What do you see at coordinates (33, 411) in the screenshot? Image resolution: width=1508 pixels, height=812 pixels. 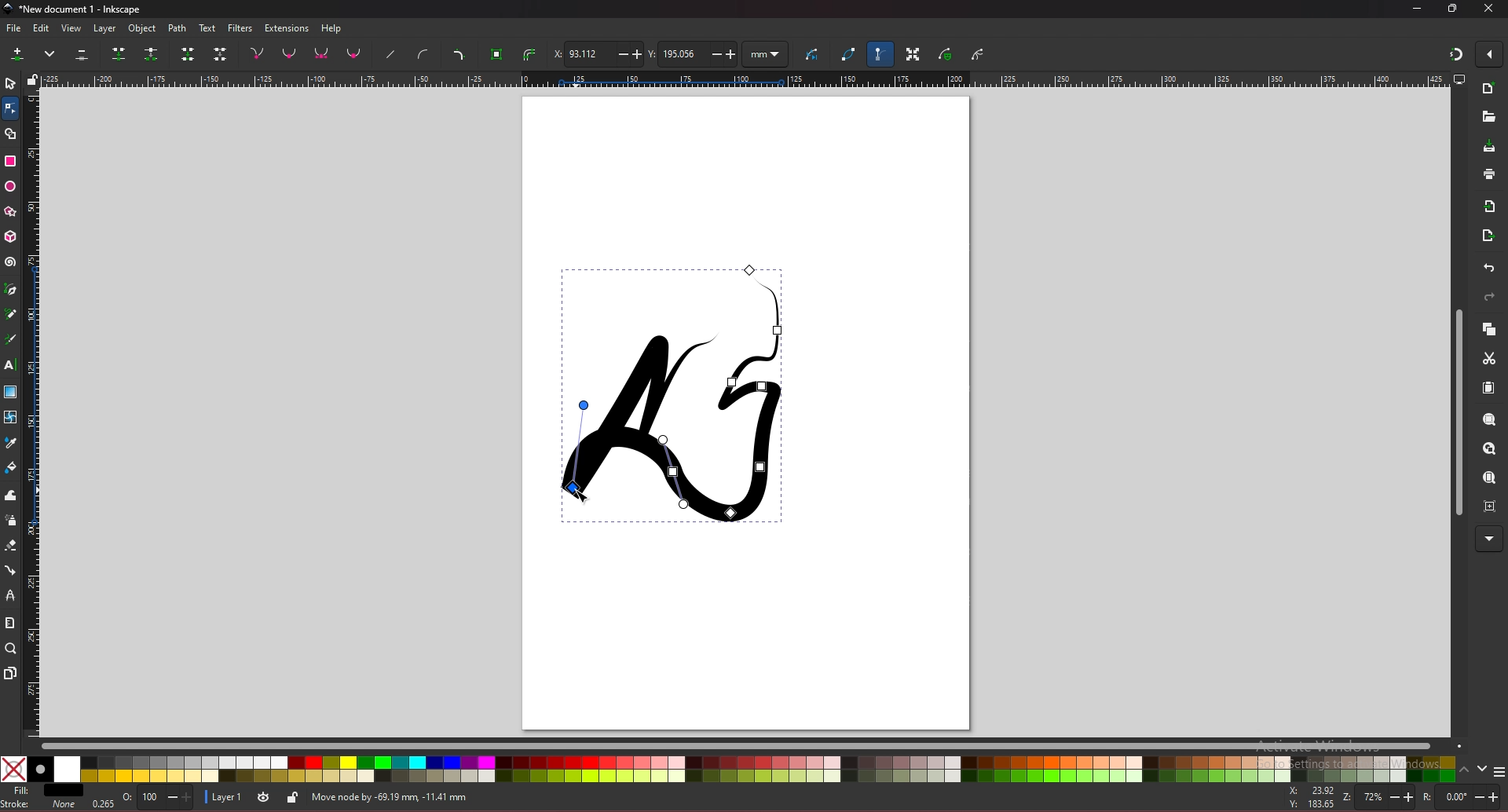 I see `vertical scale` at bounding box center [33, 411].